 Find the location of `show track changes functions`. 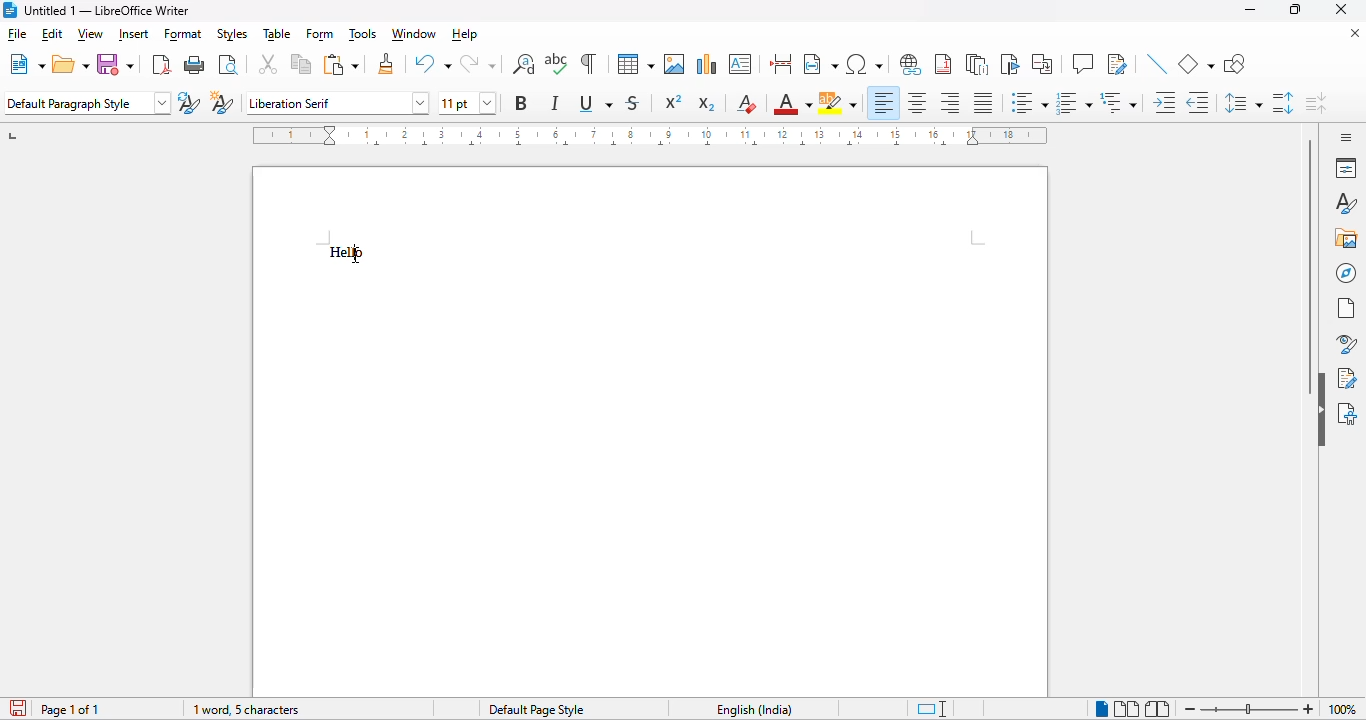

show track changes functions is located at coordinates (1118, 64).